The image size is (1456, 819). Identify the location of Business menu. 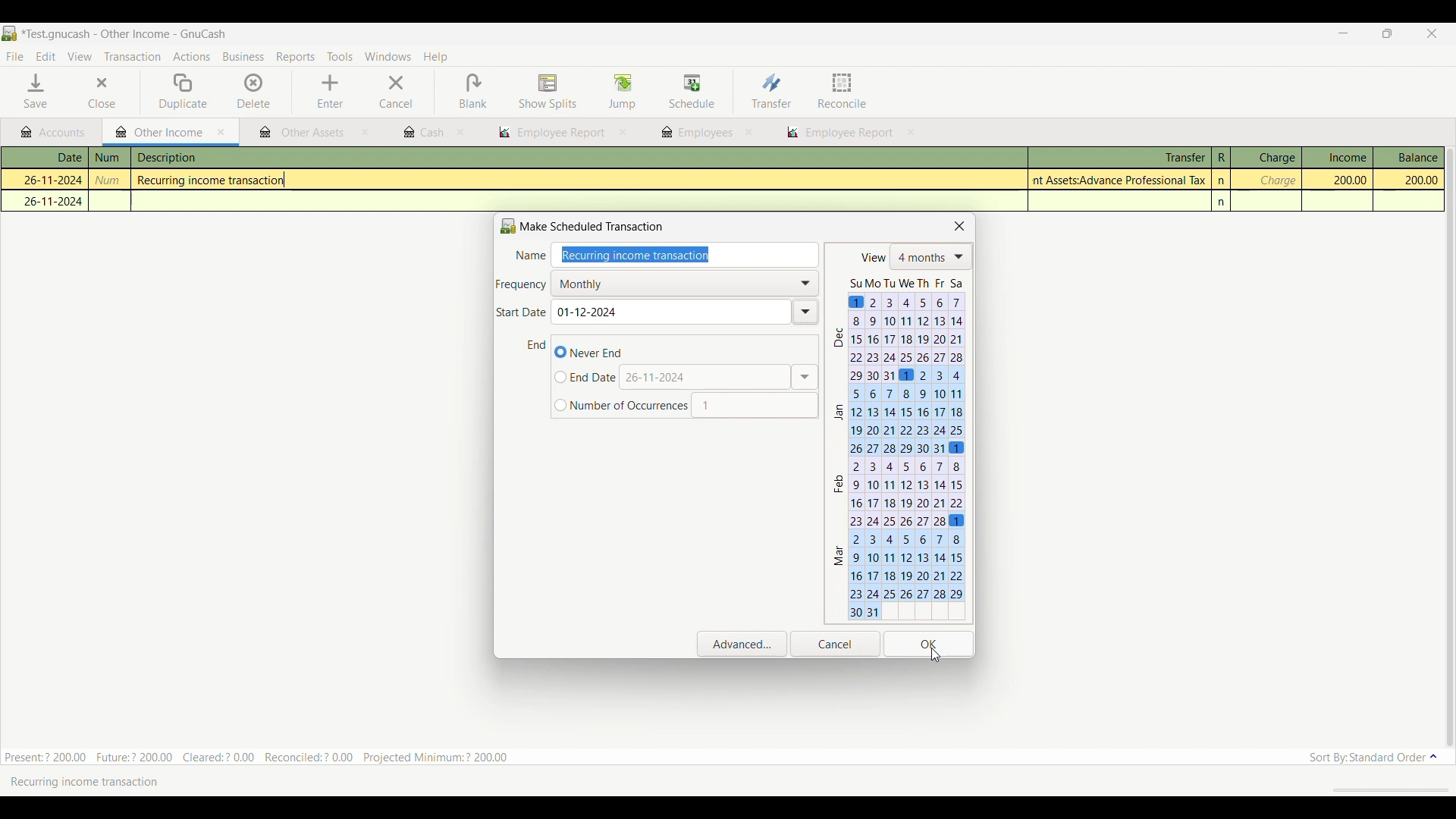
(243, 58).